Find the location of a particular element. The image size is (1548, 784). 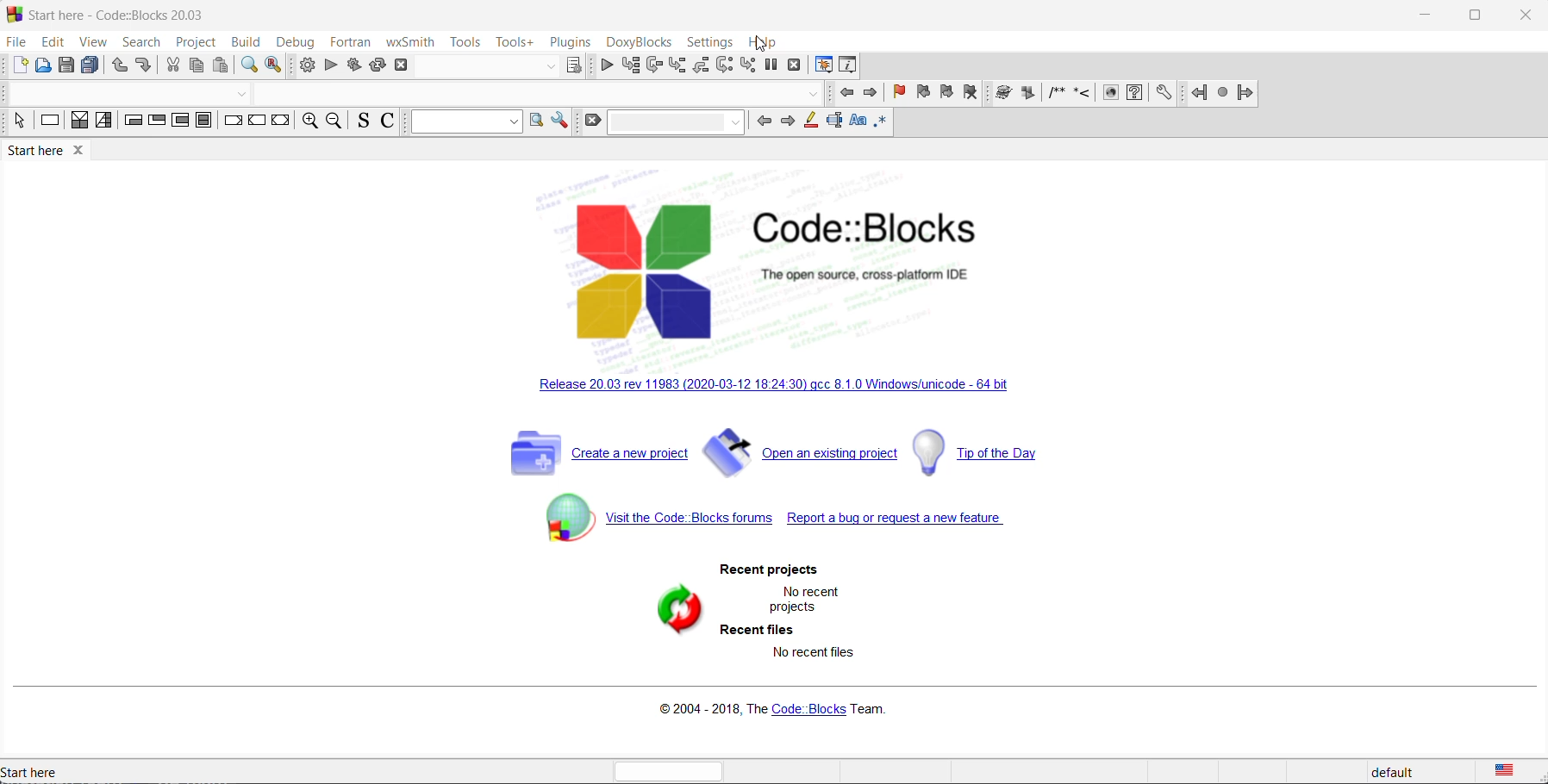

various info is located at coordinates (852, 66).